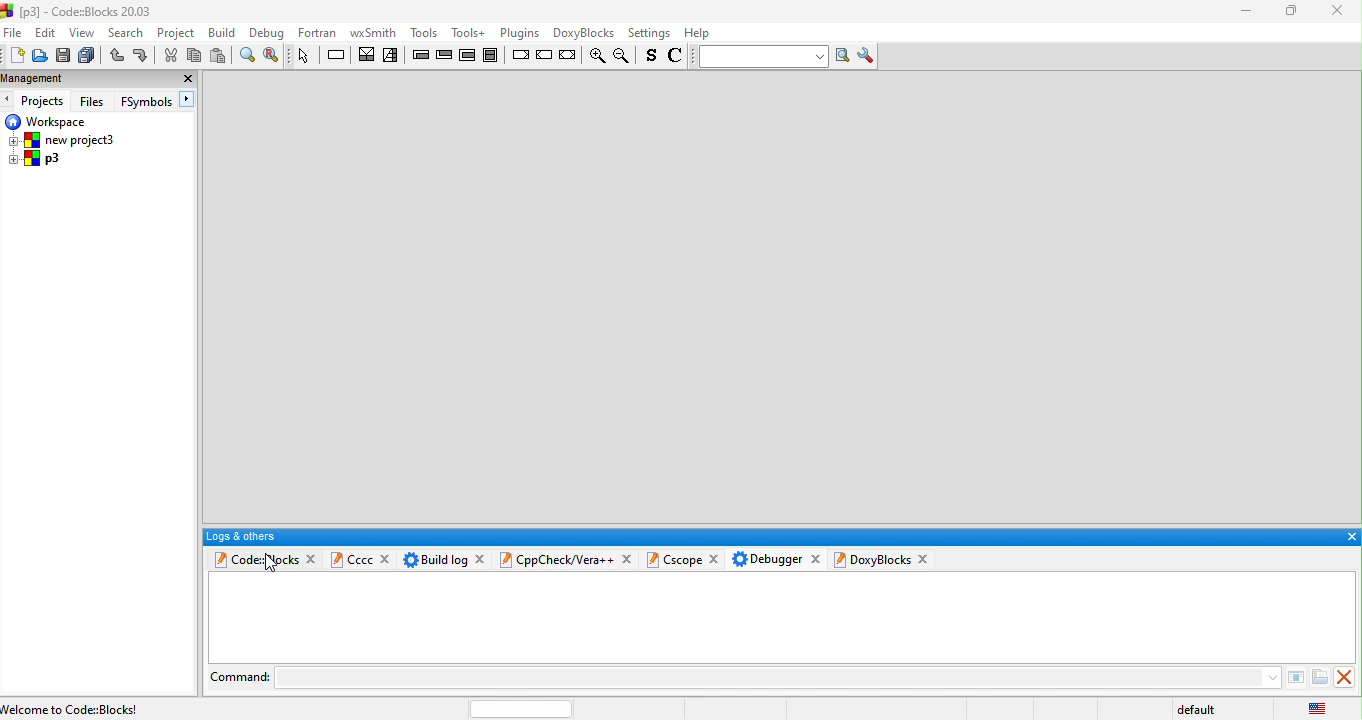  Describe the element at coordinates (220, 55) in the screenshot. I see `paste` at that location.